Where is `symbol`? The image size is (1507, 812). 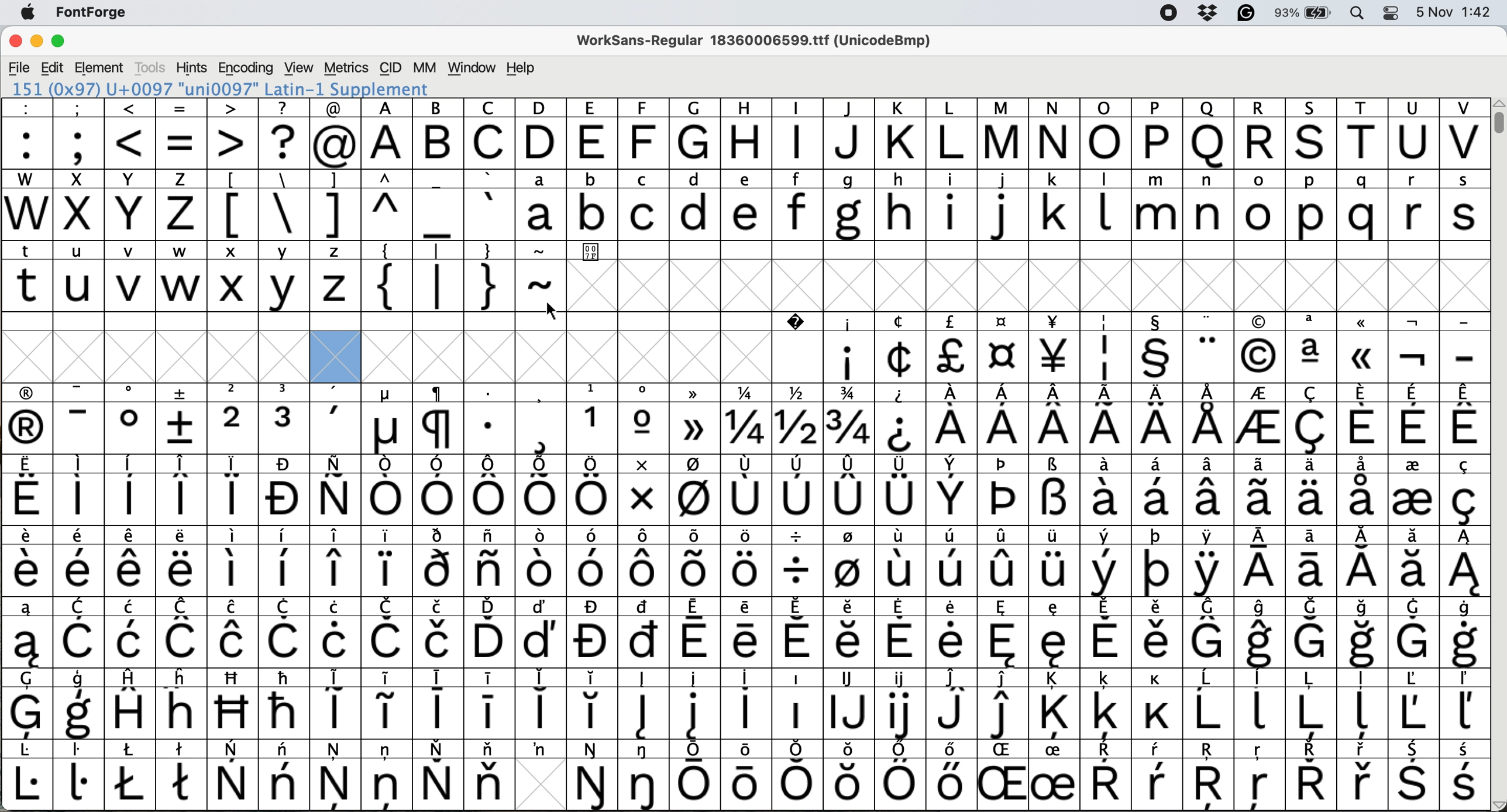
symbol is located at coordinates (1156, 632).